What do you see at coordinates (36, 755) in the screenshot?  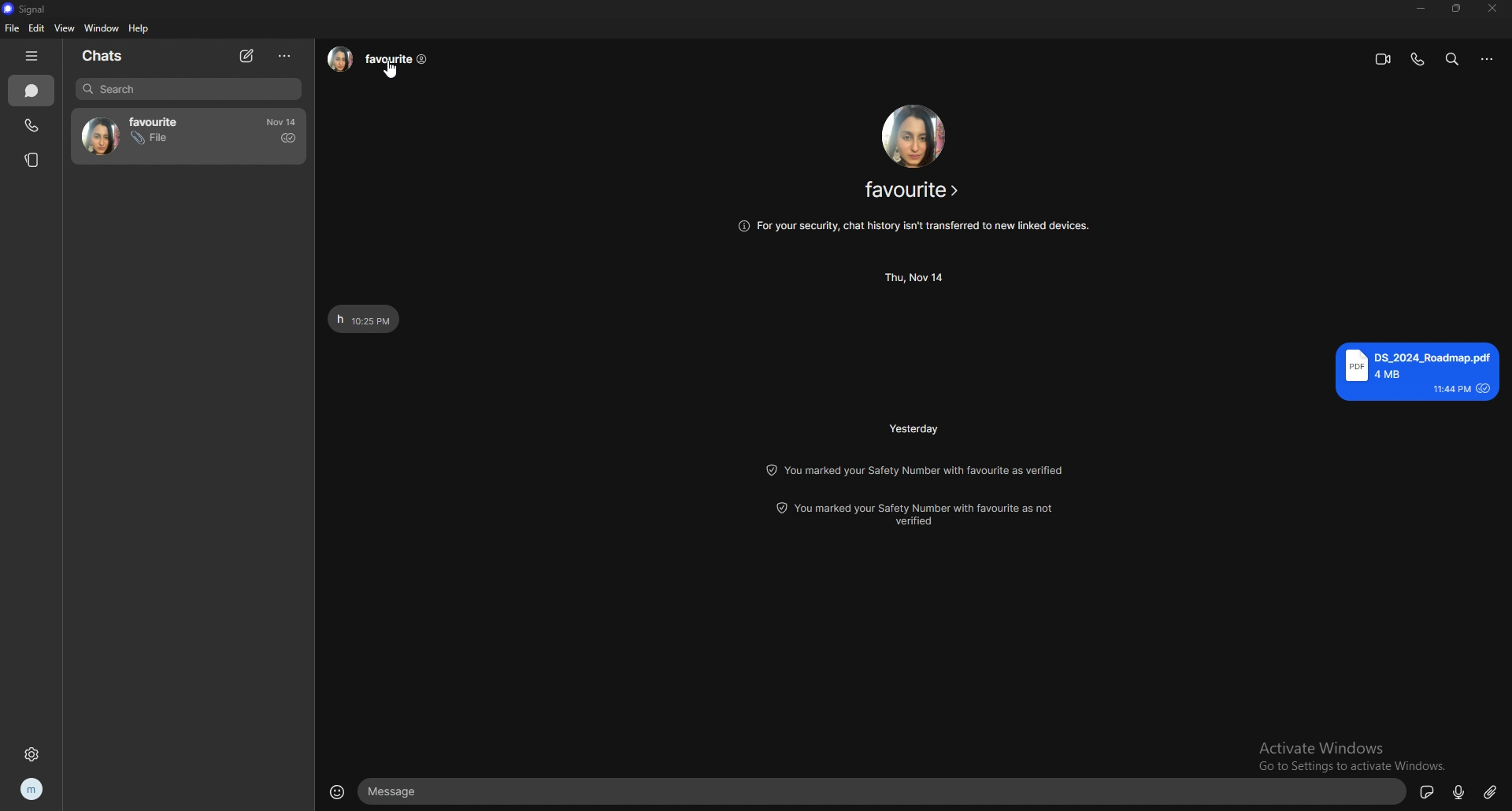 I see `settings` at bounding box center [36, 755].